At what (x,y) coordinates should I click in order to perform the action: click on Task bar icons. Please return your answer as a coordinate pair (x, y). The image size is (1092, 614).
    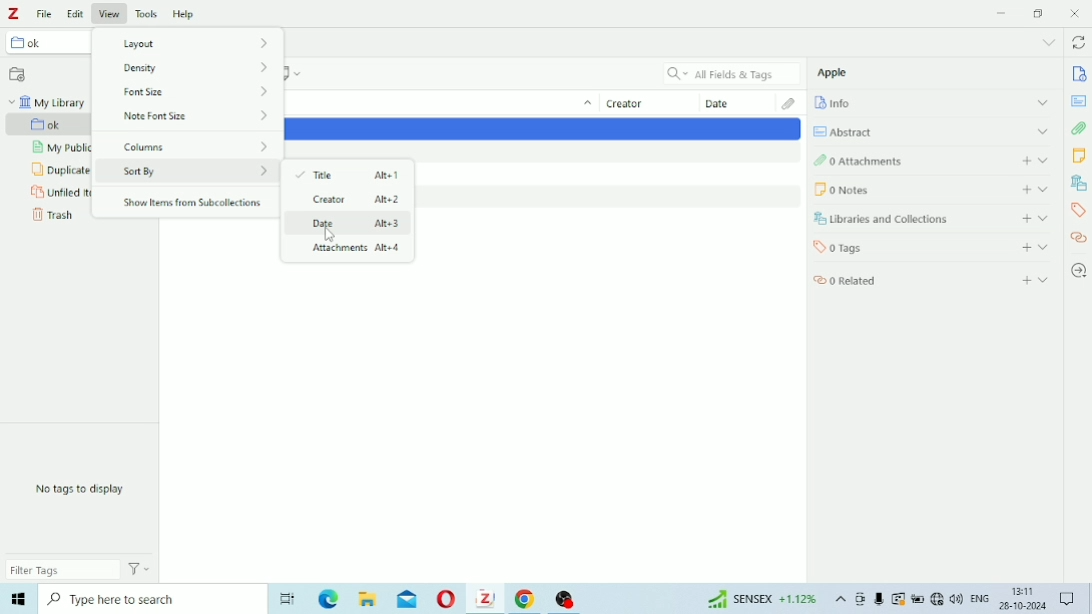
    Looking at the image, I should click on (908, 600).